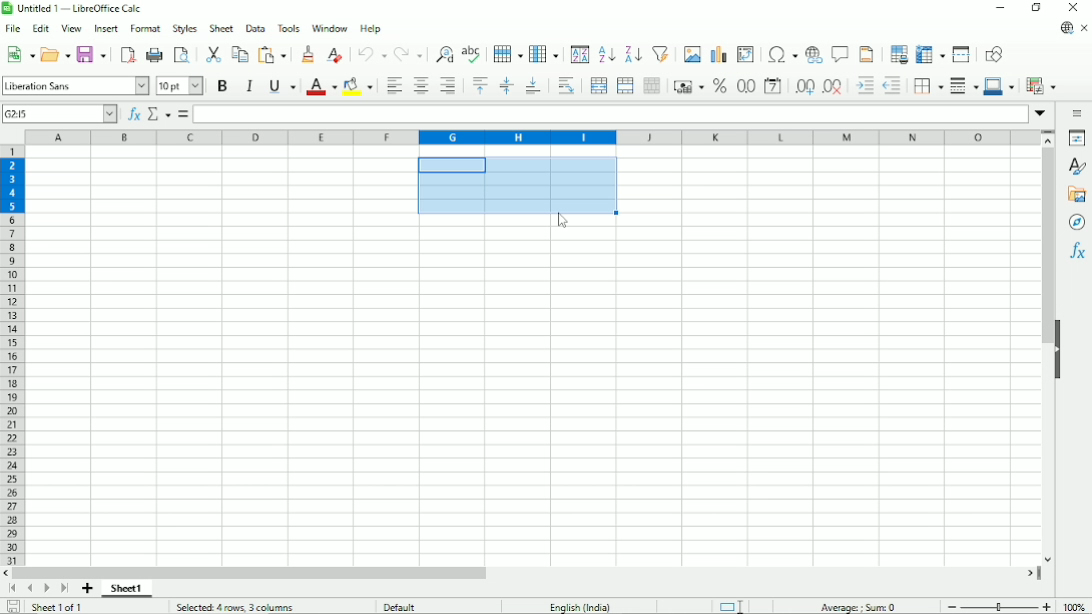 Image resolution: width=1092 pixels, height=614 pixels. I want to click on Tools, so click(290, 28).